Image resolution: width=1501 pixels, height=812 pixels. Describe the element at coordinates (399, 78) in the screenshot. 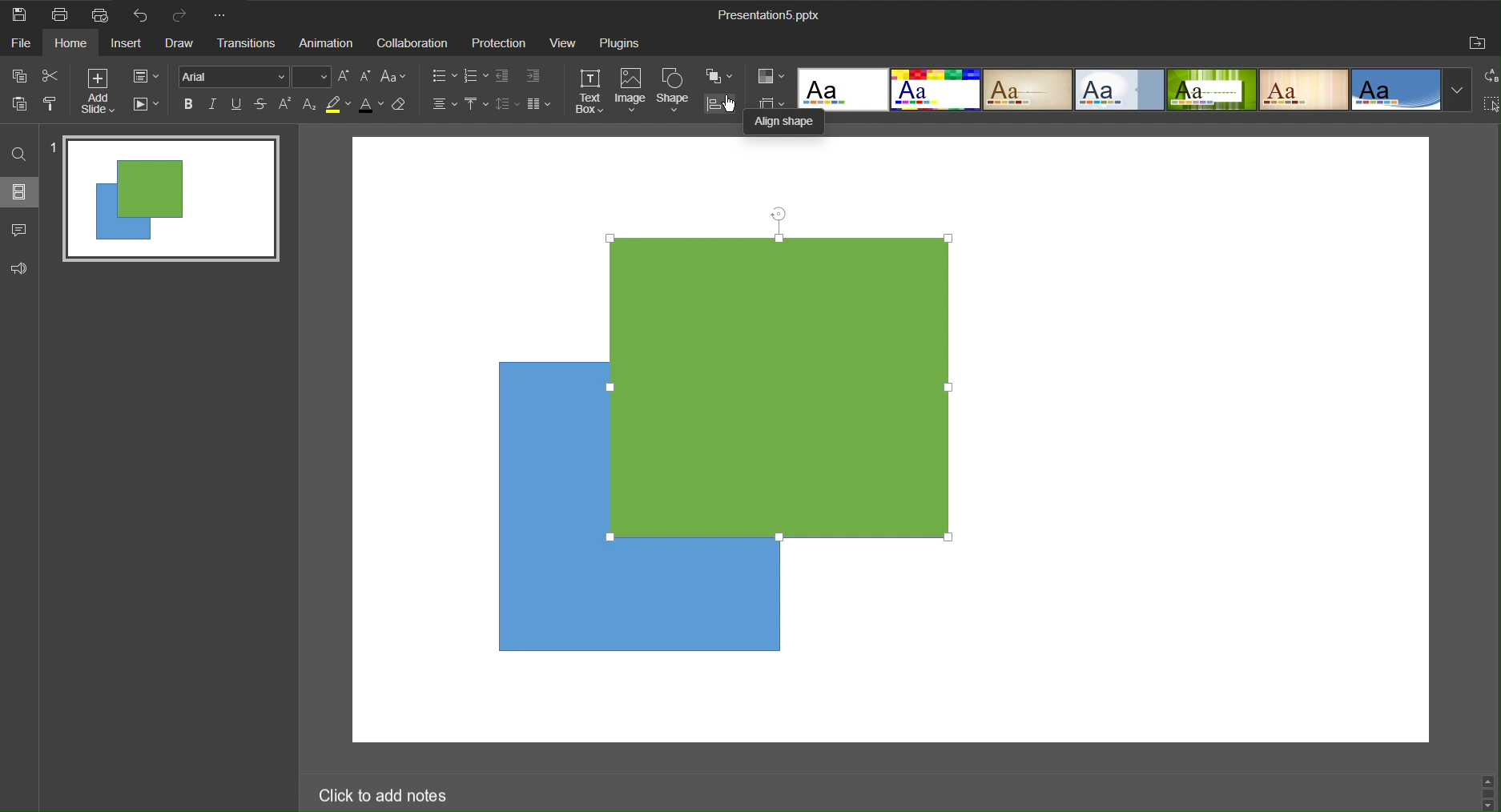

I see `Text Case Settings` at that location.